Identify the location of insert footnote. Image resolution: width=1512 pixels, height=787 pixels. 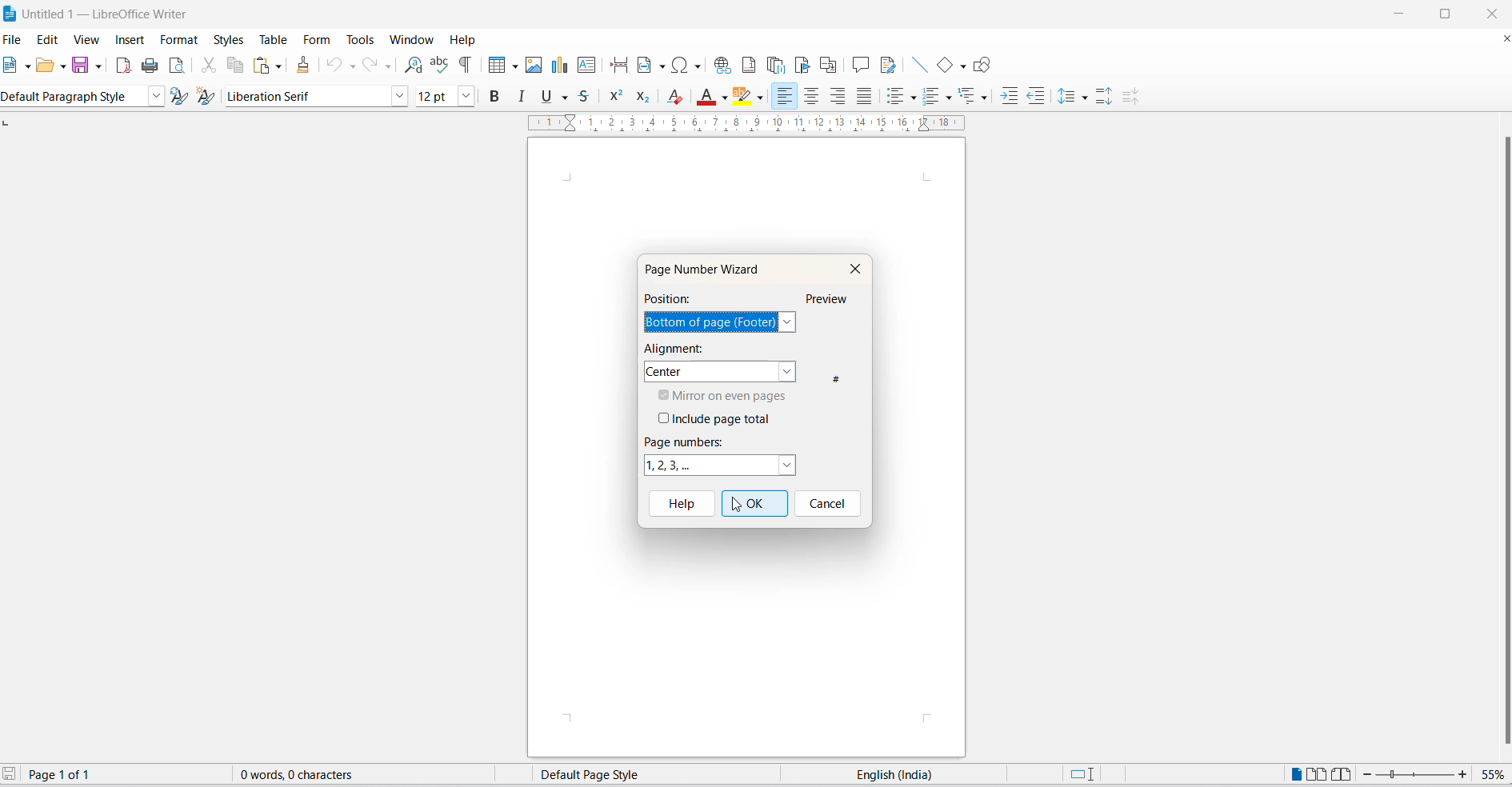
(749, 65).